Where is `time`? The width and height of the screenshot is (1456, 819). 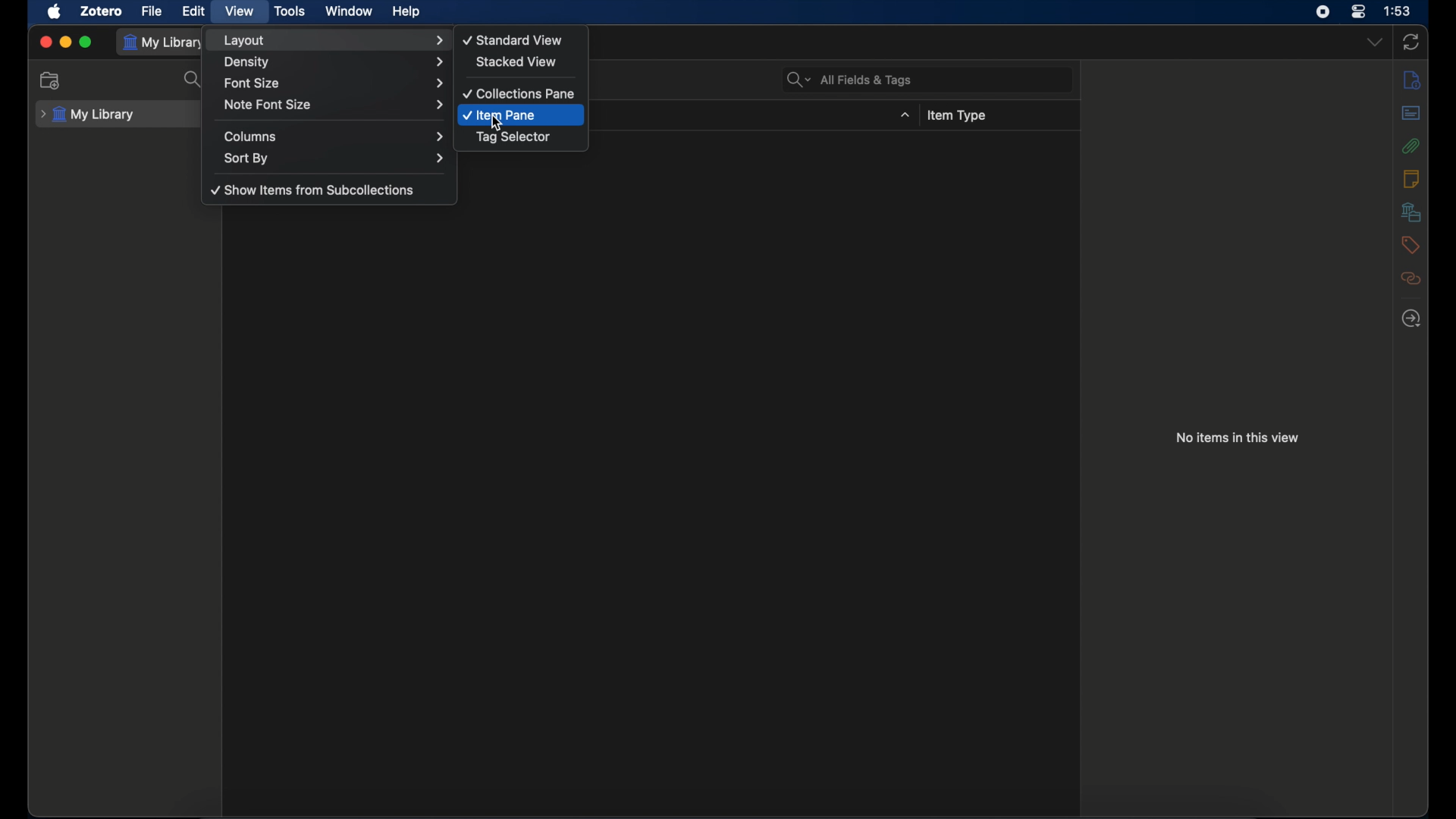 time is located at coordinates (1397, 10).